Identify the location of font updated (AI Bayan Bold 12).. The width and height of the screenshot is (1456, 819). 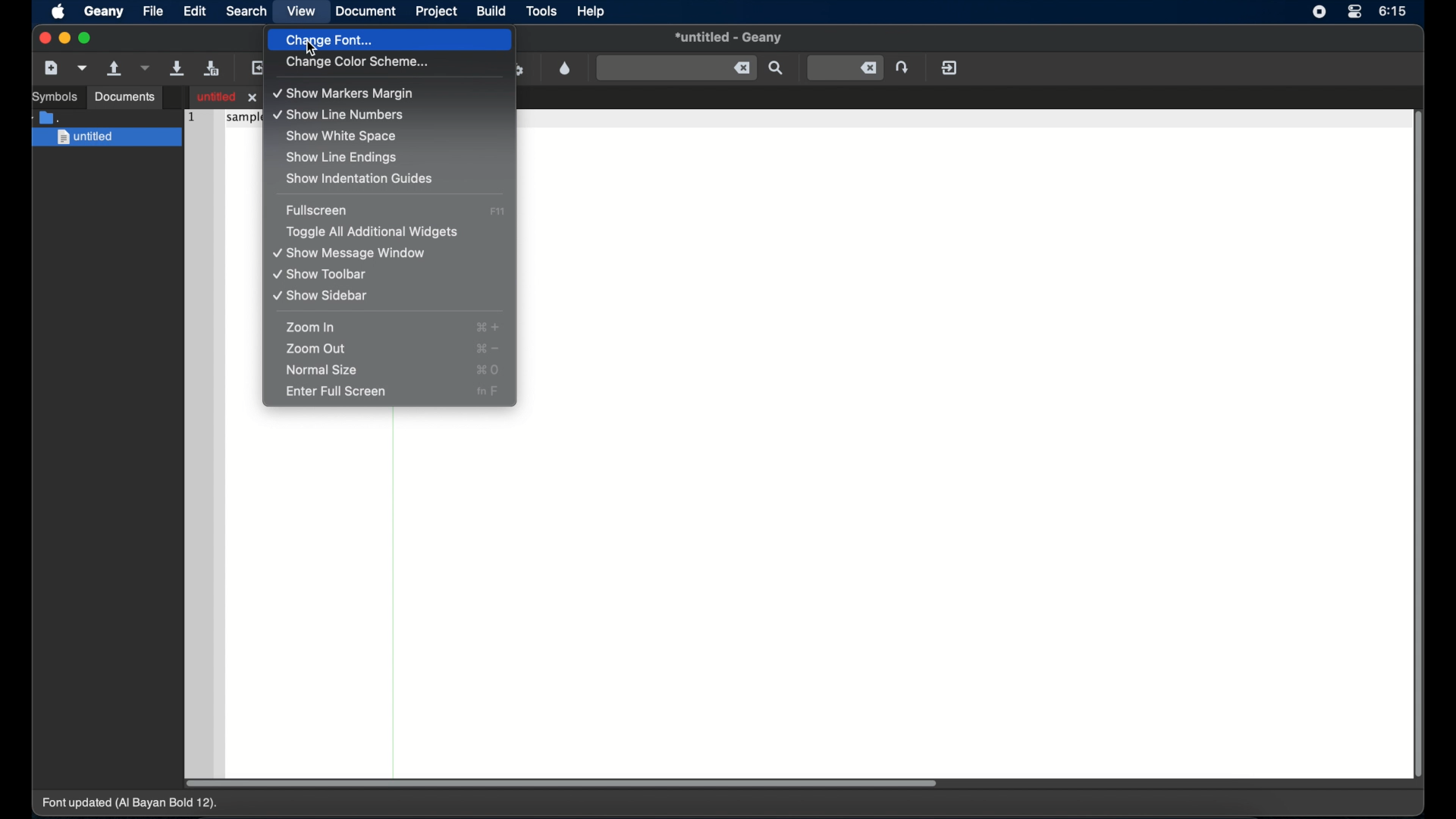
(131, 804).